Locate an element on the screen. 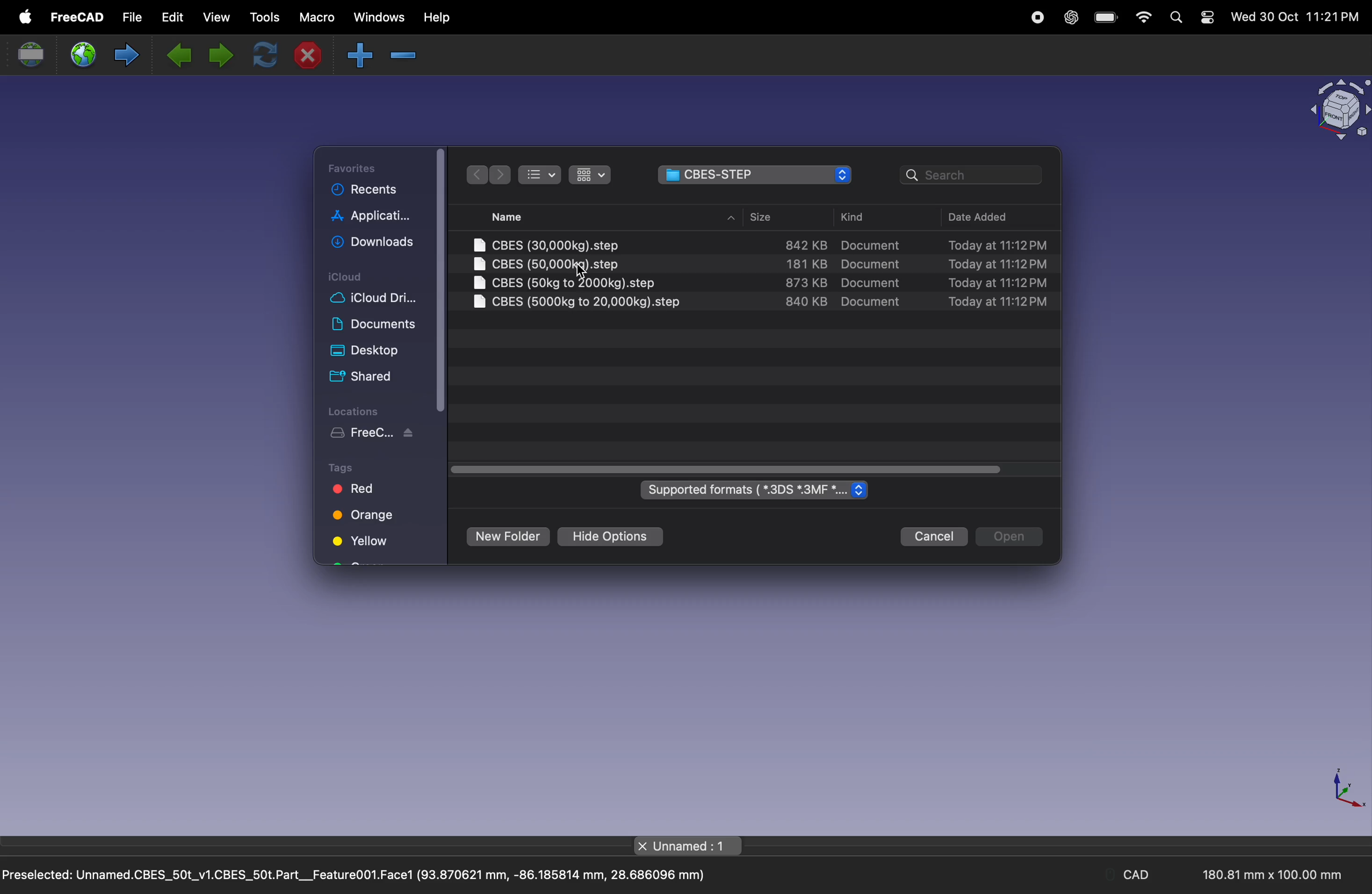 The image size is (1372, 894). refresh is located at coordinates (260, 54).